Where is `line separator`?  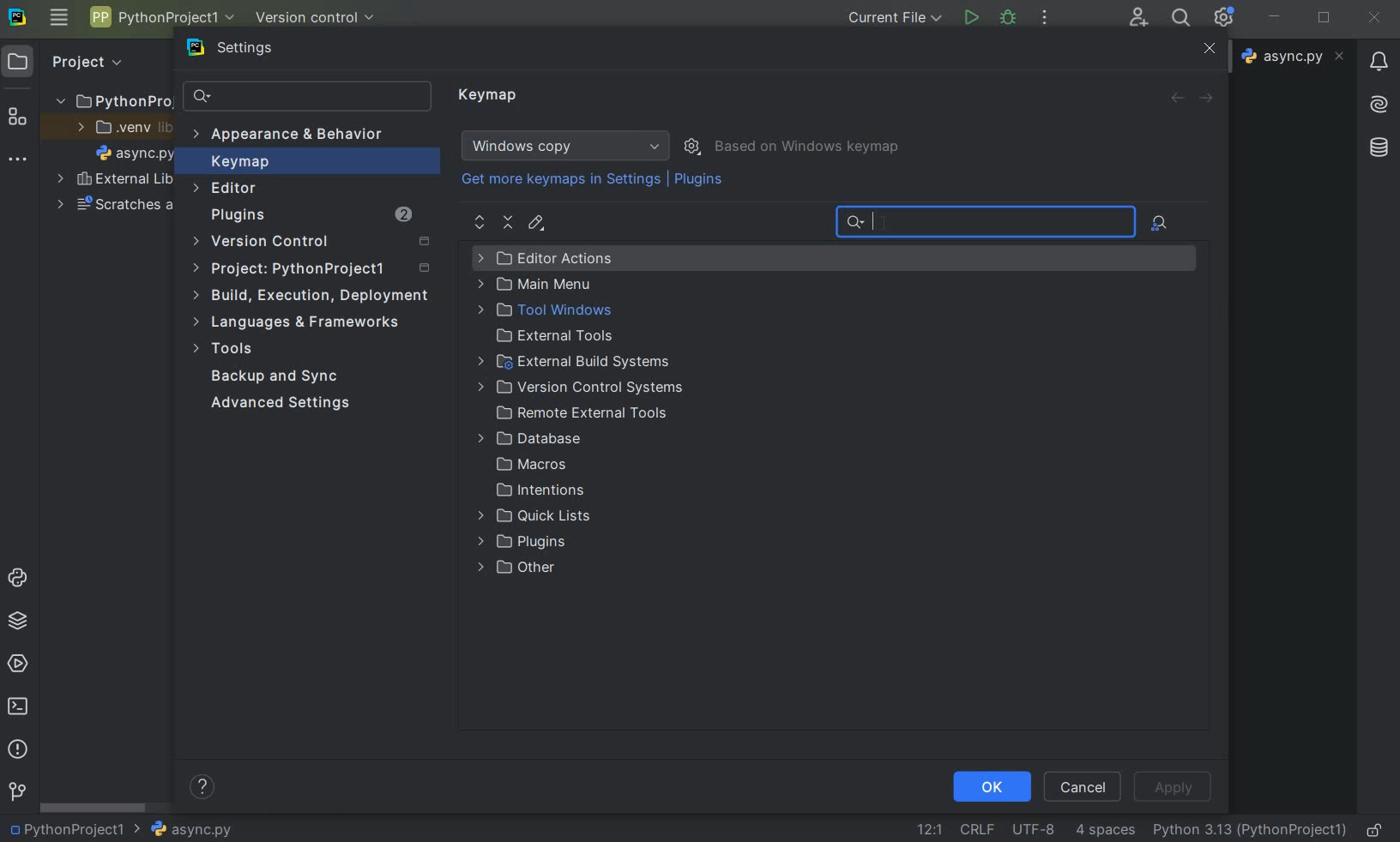
line separator is located at coordinates (976, 830).